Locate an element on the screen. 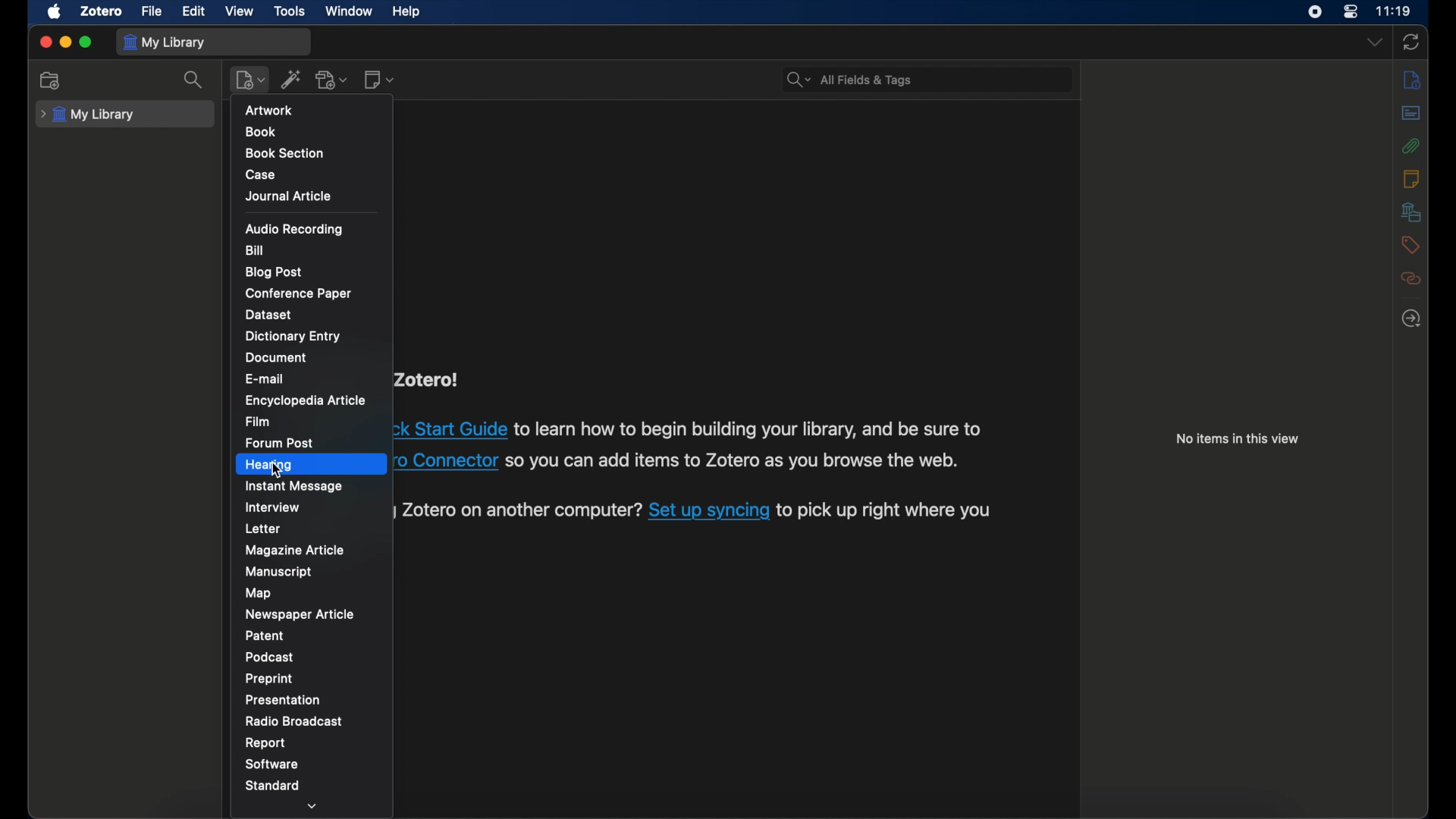 The width and height of the screenshot is (1456, 819). e-mail is located at coordinates (265, 380).